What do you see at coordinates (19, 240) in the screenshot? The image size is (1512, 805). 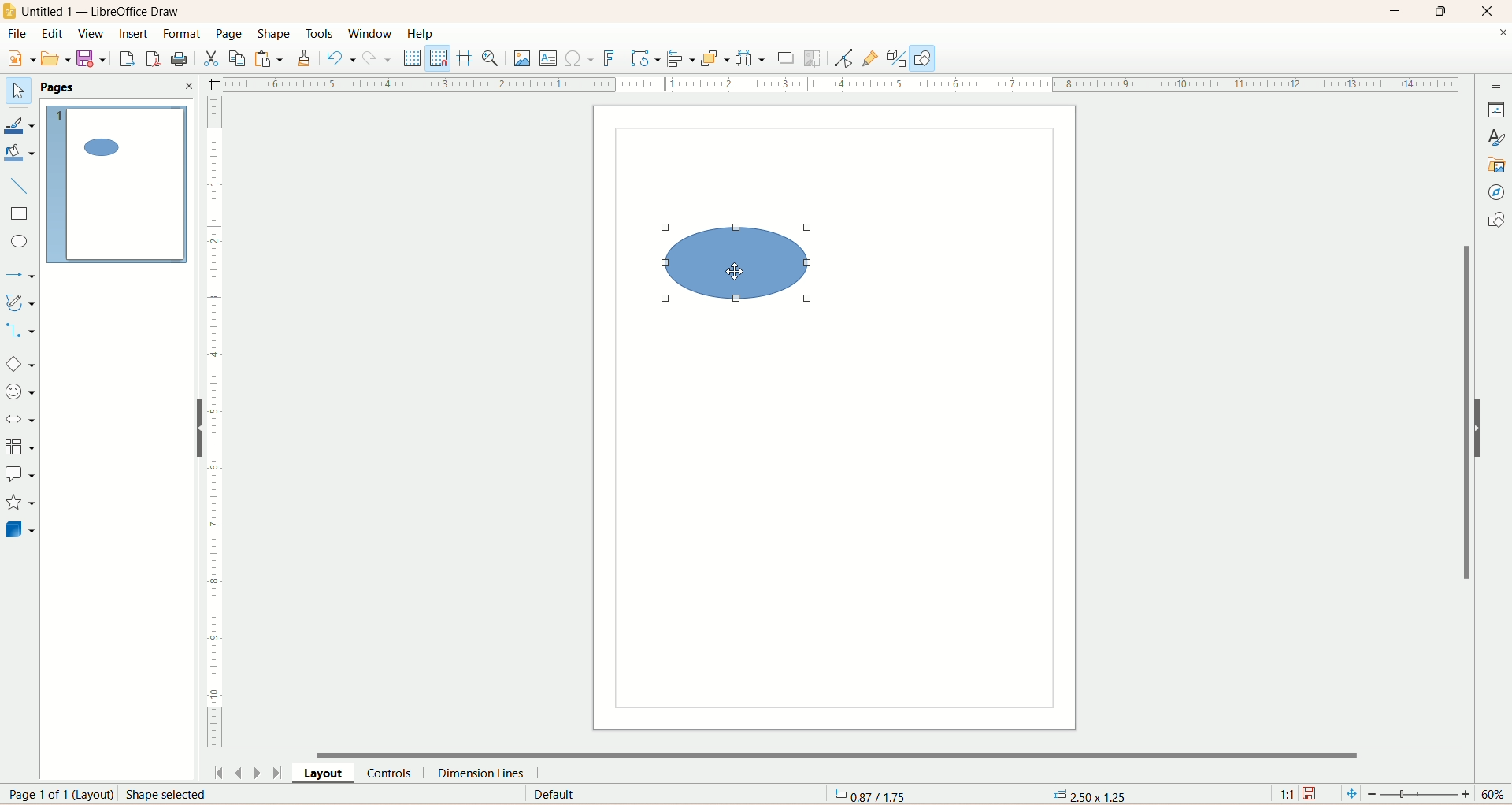 I see `ellipse` at bounding box center [19, 240].